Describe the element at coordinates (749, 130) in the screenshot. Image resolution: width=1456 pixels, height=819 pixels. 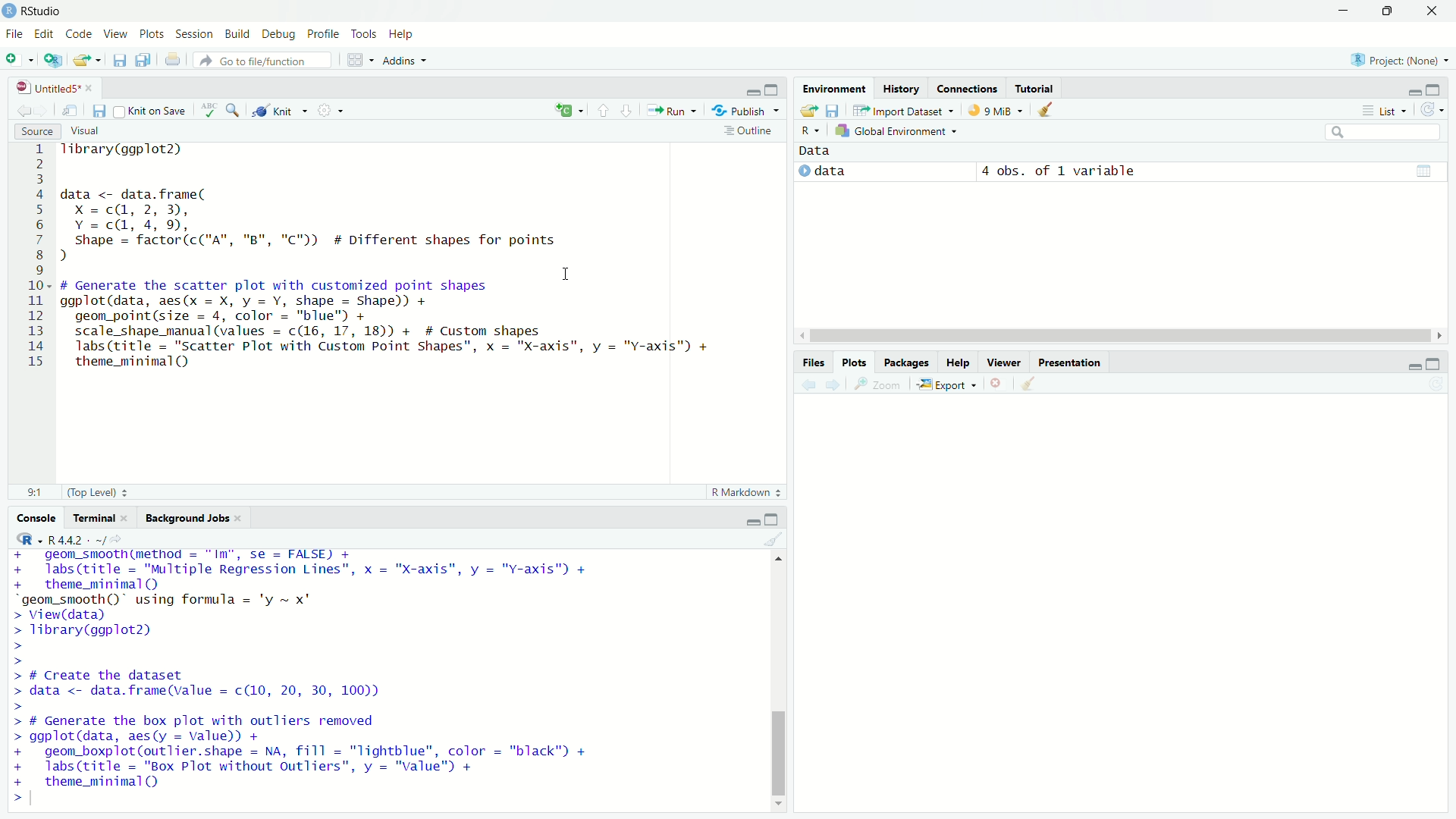
I see `Outline` at that location.